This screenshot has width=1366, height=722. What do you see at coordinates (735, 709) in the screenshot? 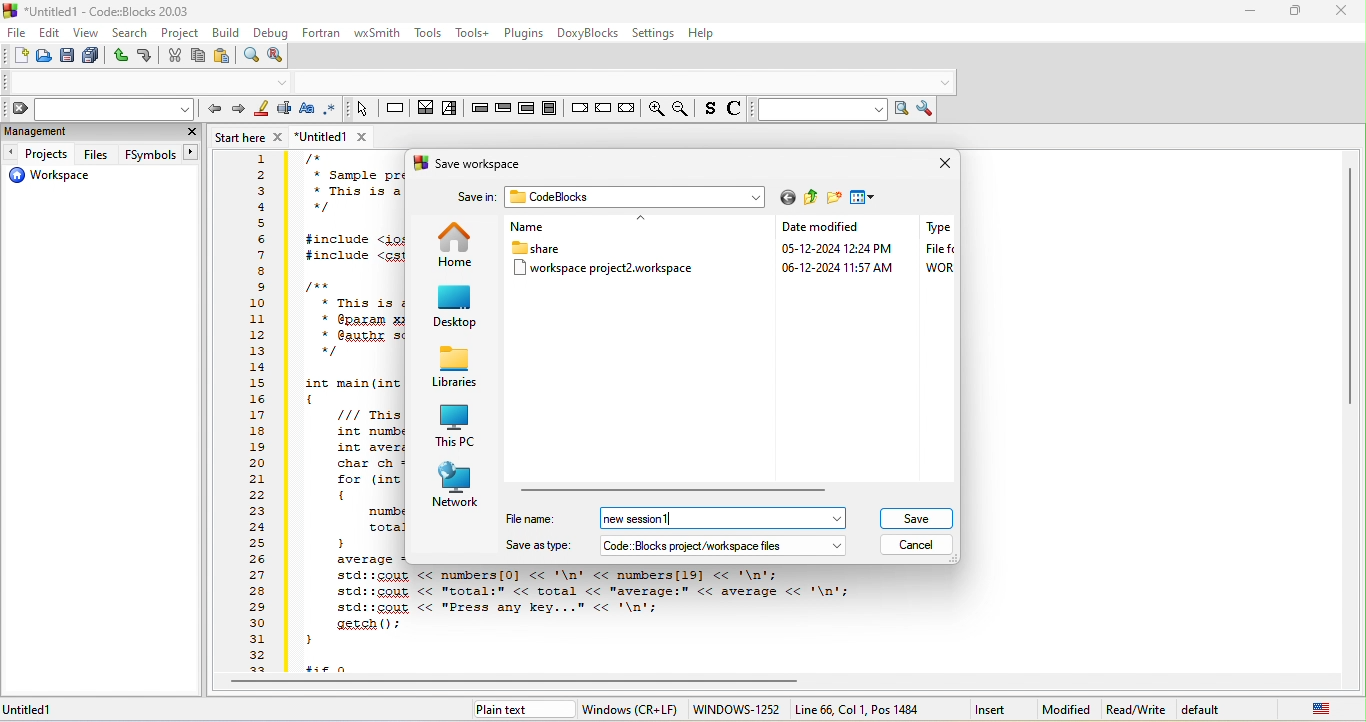
I see `windows-1252` at bounding box center [735, 709].